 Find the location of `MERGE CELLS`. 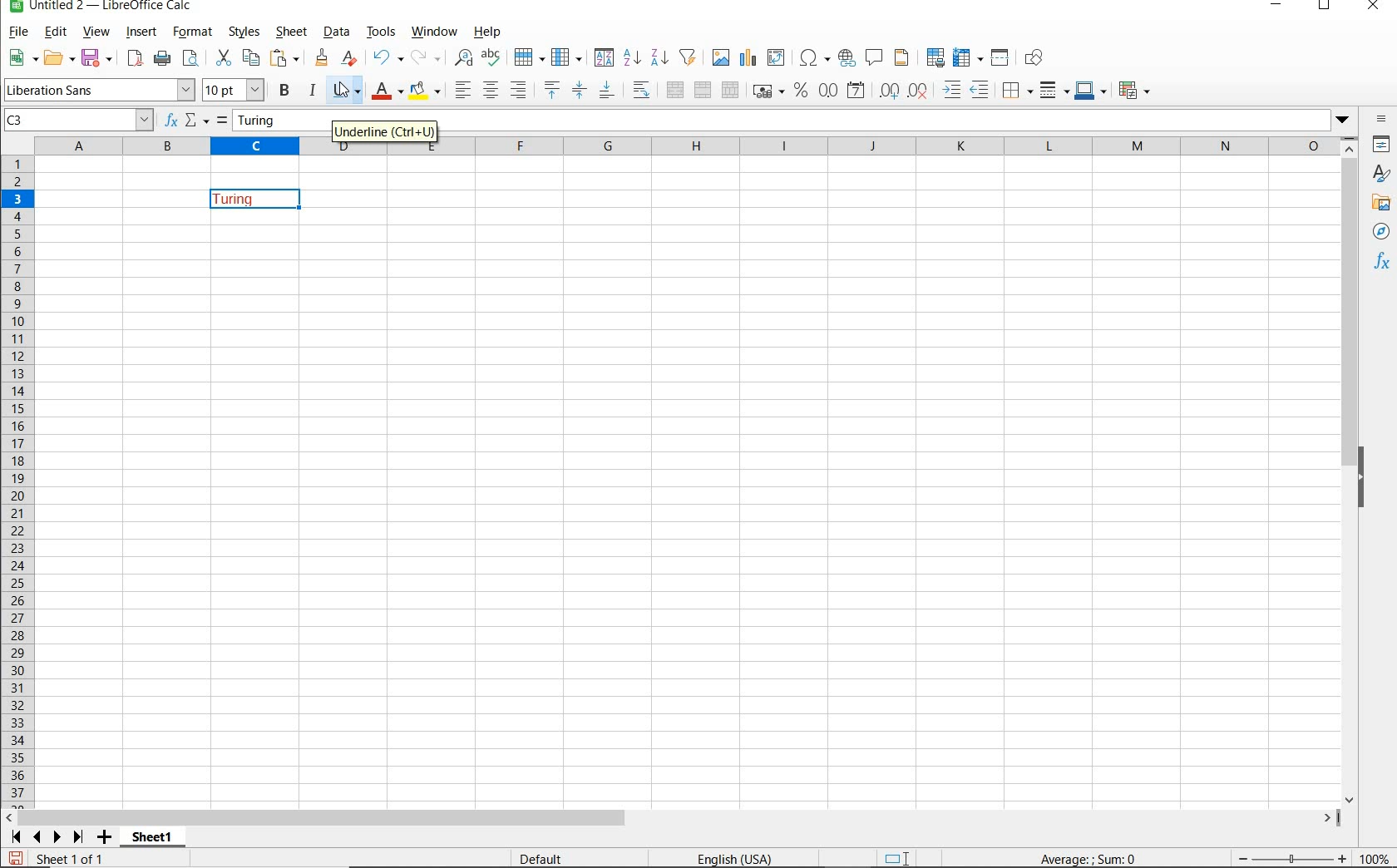

MERGE CELLS is located at coordinates (704, 91).